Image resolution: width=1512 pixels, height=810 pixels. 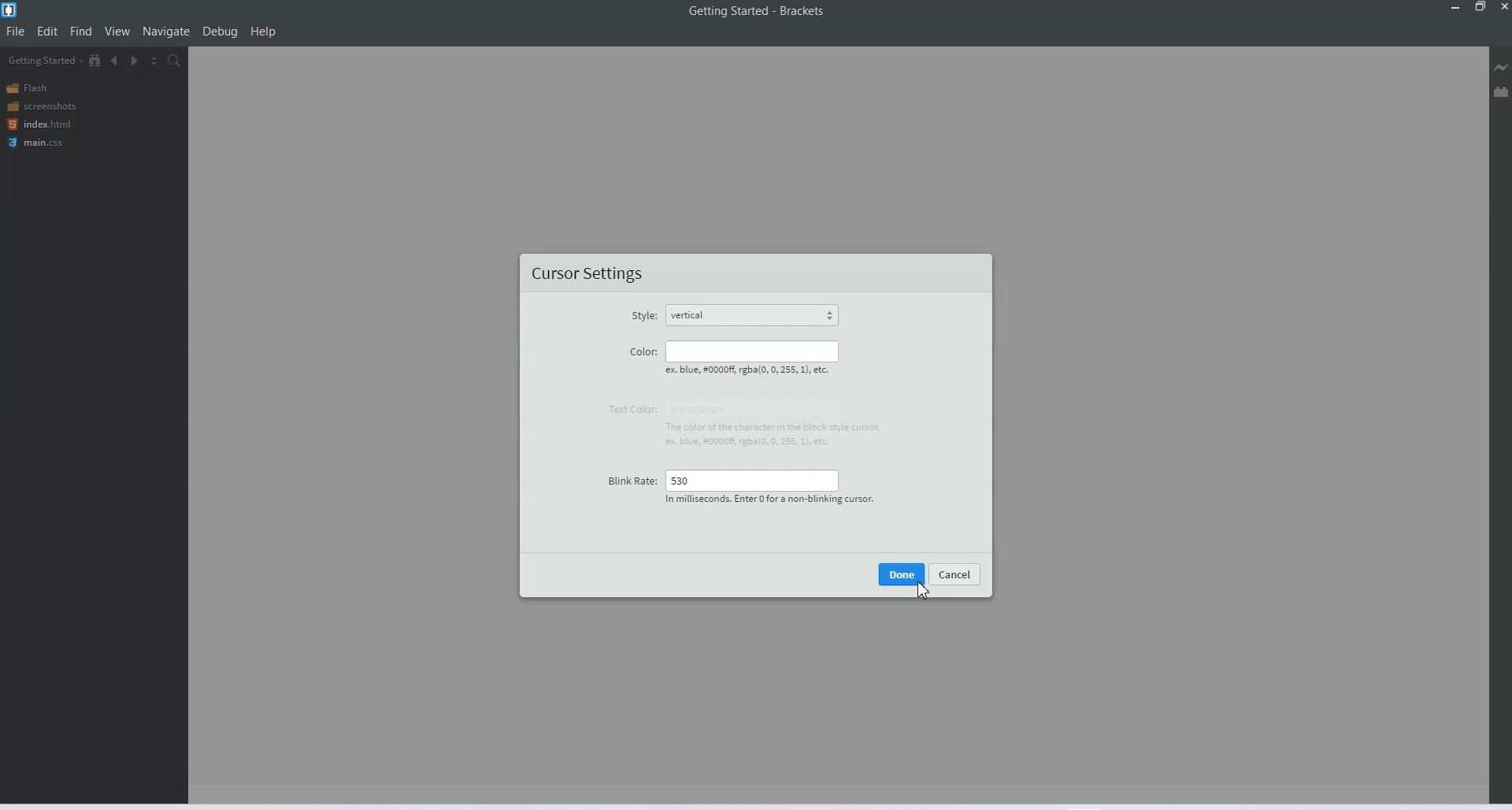 I want to click on File, so click(x=15, y=31).